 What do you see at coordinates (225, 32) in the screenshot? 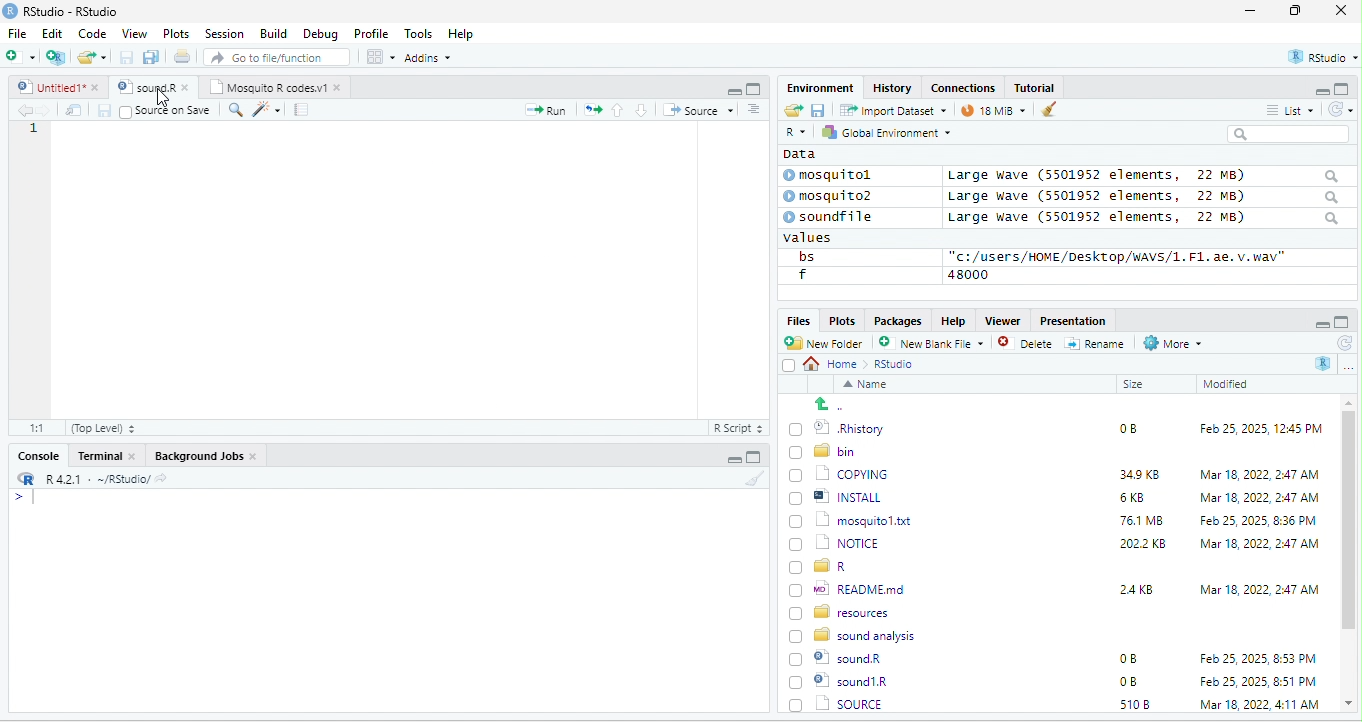
I see `Session` at bounding box center [225, 32].